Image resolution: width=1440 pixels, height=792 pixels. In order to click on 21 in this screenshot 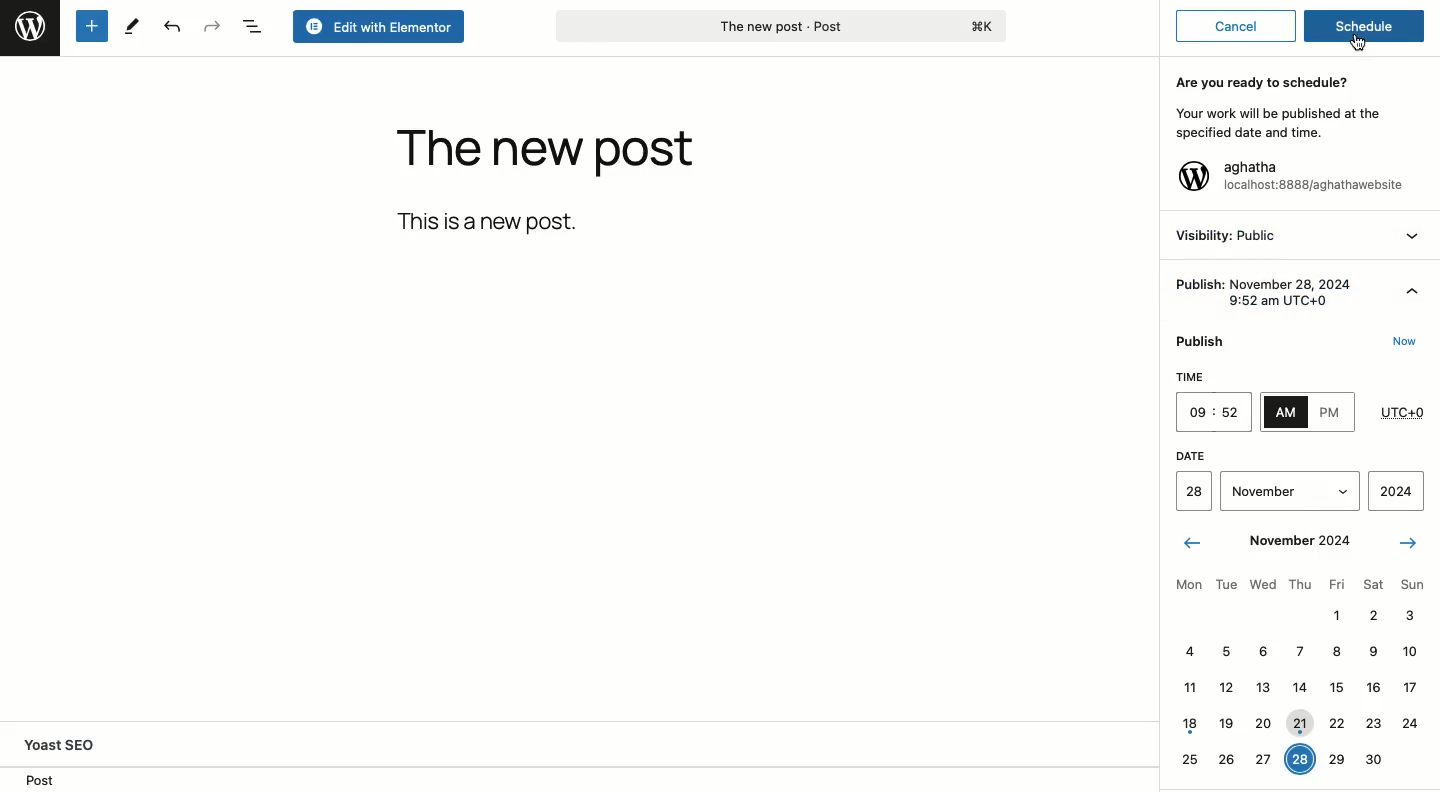, I will do `click(1301, 723)`.